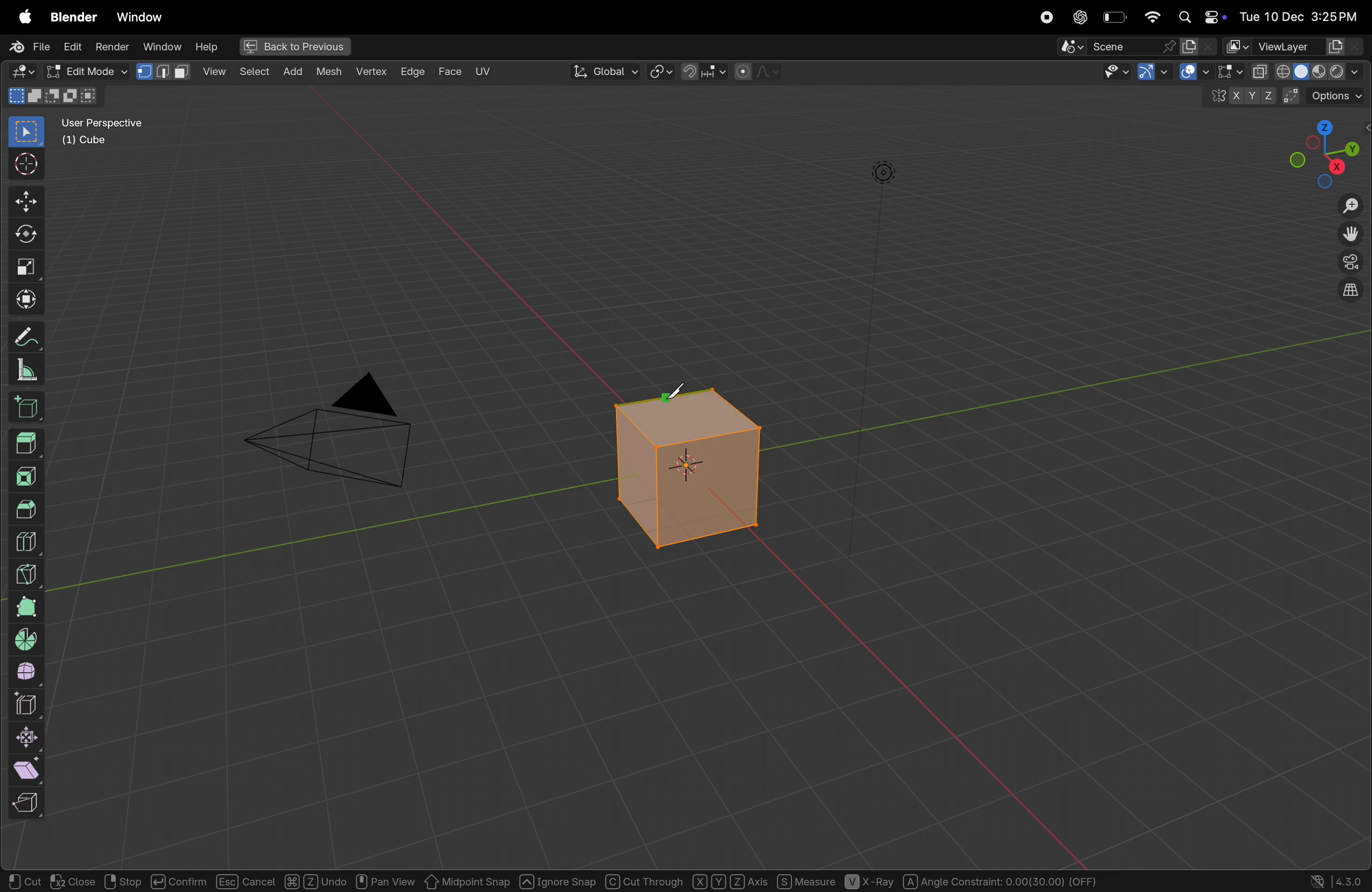  What do you see at coordinates (73, 882) in the screenshot?
I see `Close` at bounding box center [73, 882].